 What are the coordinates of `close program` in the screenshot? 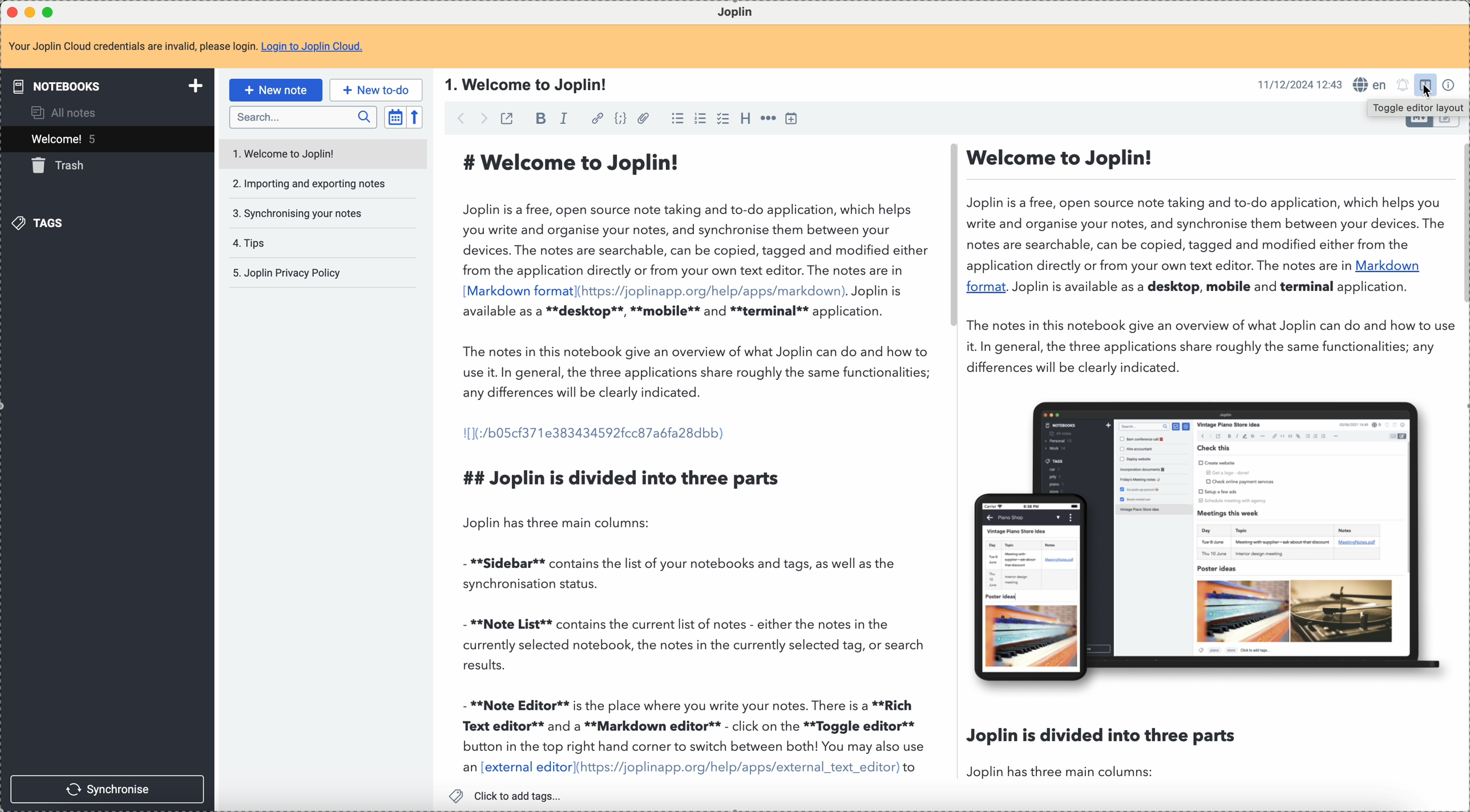 It's located at (10, 11).